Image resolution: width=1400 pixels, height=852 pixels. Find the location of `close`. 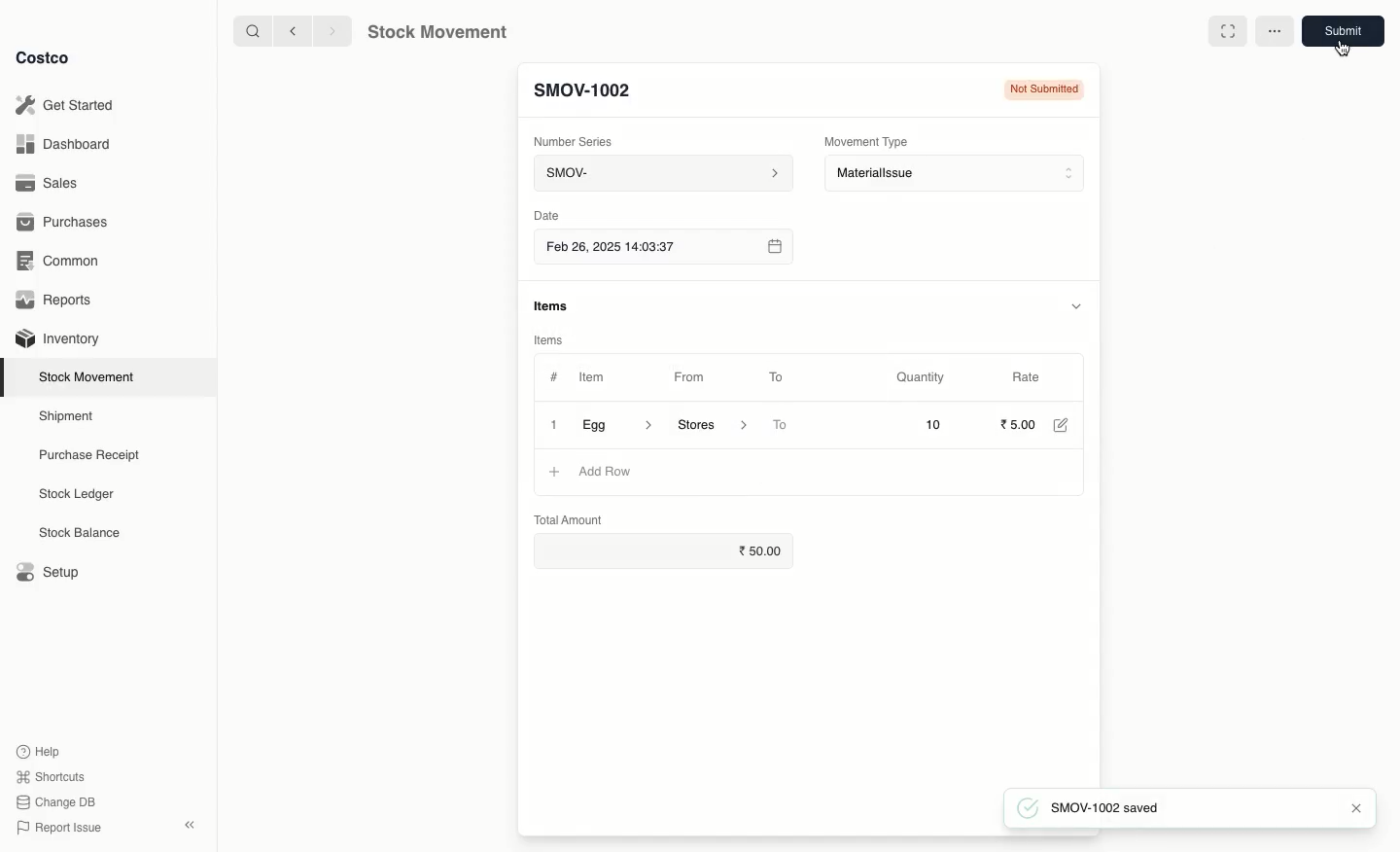

close is located at coordinates (1355, 809).